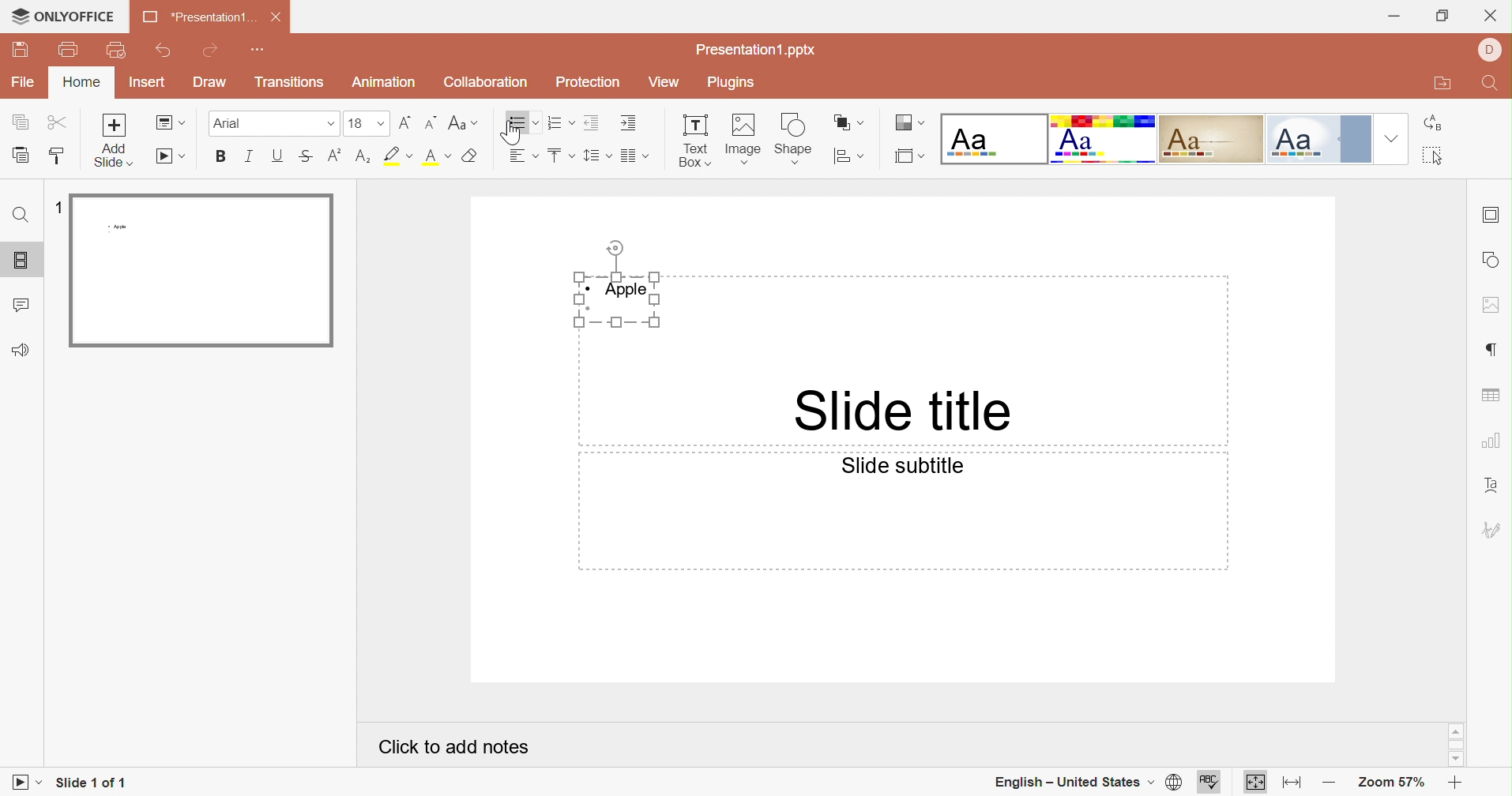 The image size is (1512, 796). I want to click on Text Art settings, so click(1495, 485).